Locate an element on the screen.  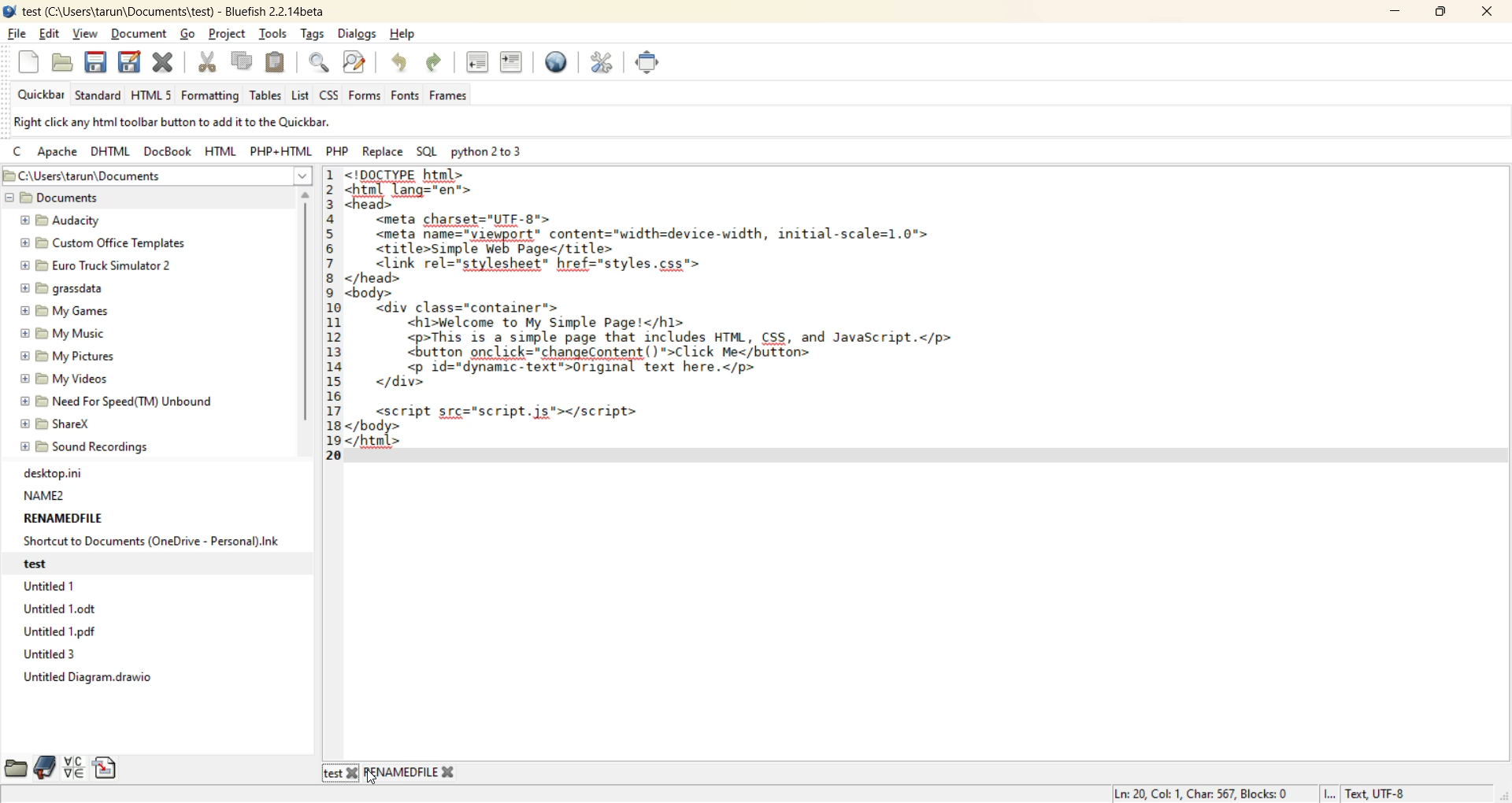
save as is located at coordinates (132, 64).